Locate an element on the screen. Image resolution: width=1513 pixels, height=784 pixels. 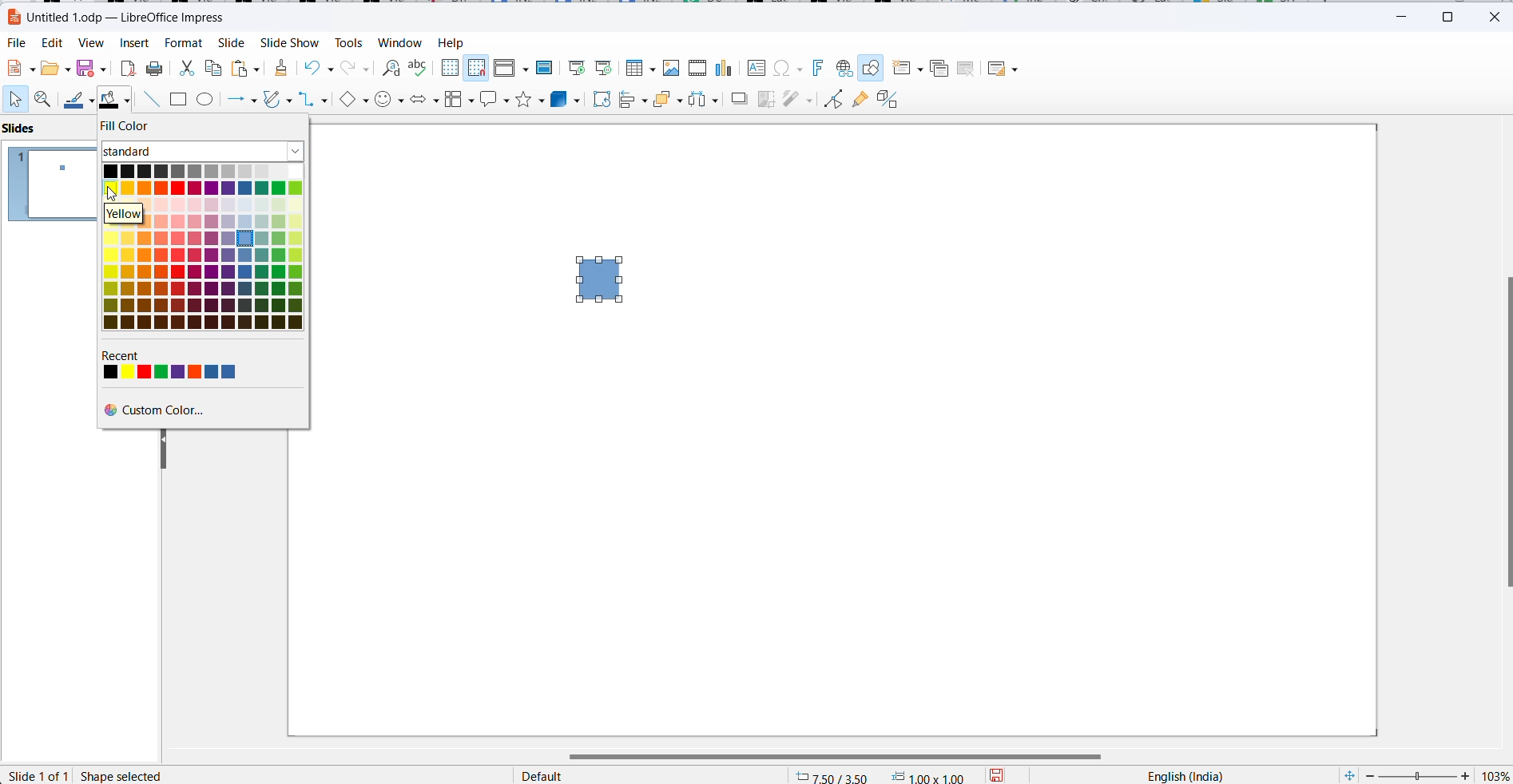
3d objects  is located at coordinates (566, 100).